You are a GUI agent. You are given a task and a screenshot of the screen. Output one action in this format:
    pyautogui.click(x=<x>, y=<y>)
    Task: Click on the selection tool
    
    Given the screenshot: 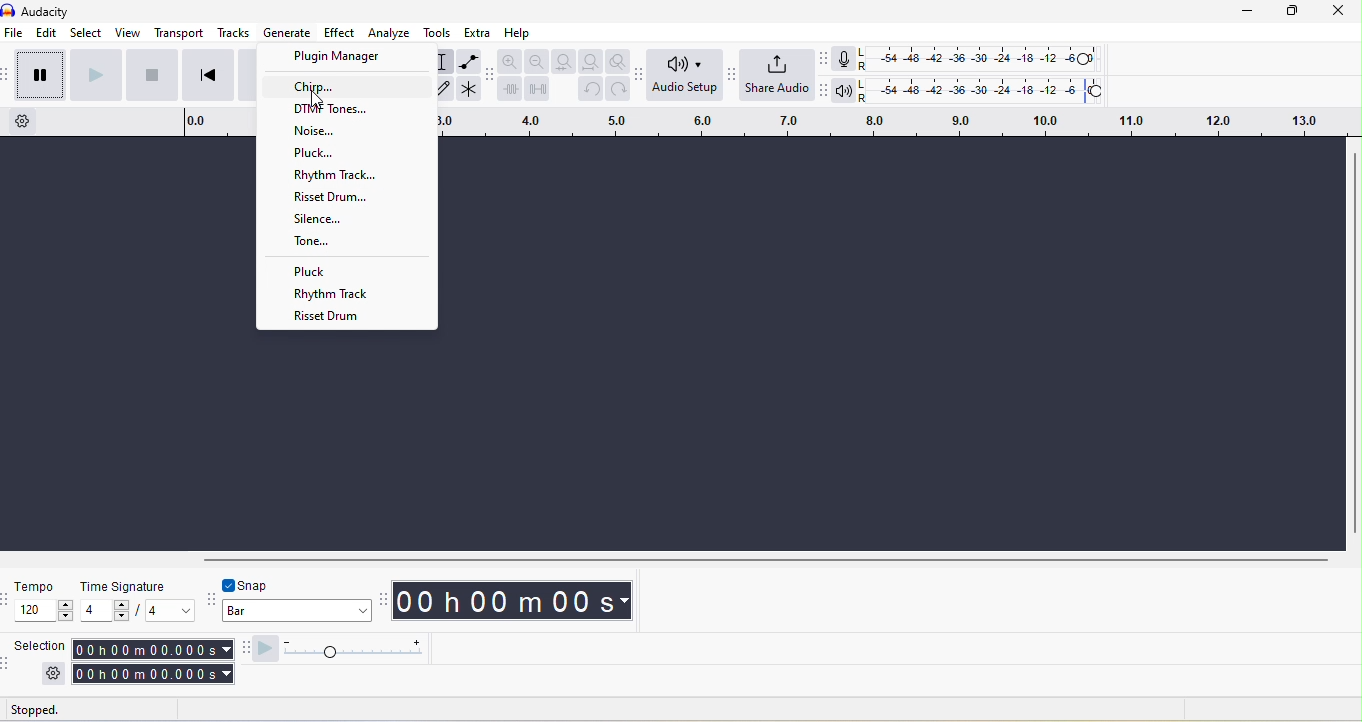 What is the action you would take?
    pyautogui.click(x=446, y=61)
    